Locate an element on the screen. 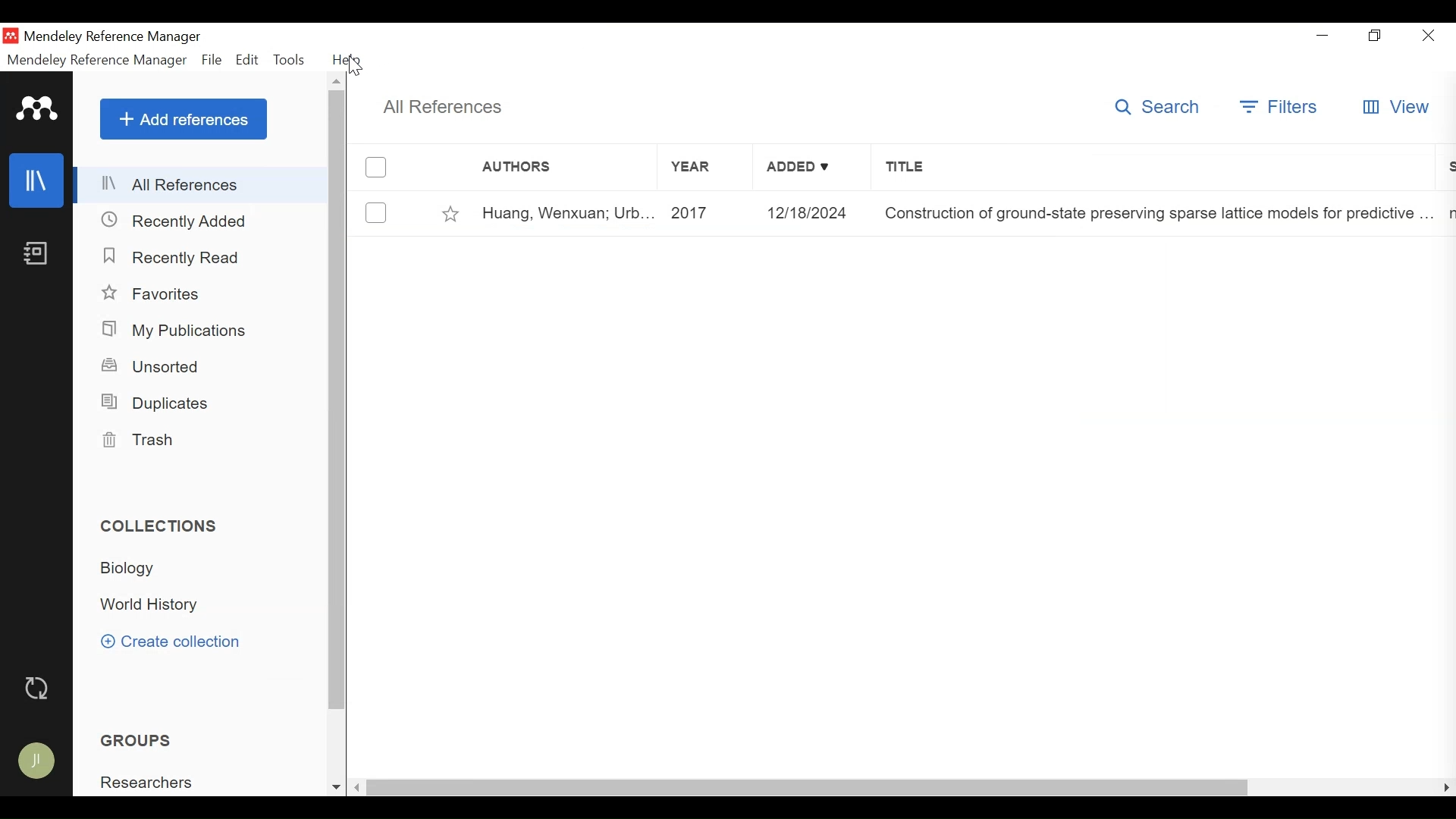 Image resolution: width=1456 pixels, height=819 pixels. Unsorted is located at coordinates (156, 366).